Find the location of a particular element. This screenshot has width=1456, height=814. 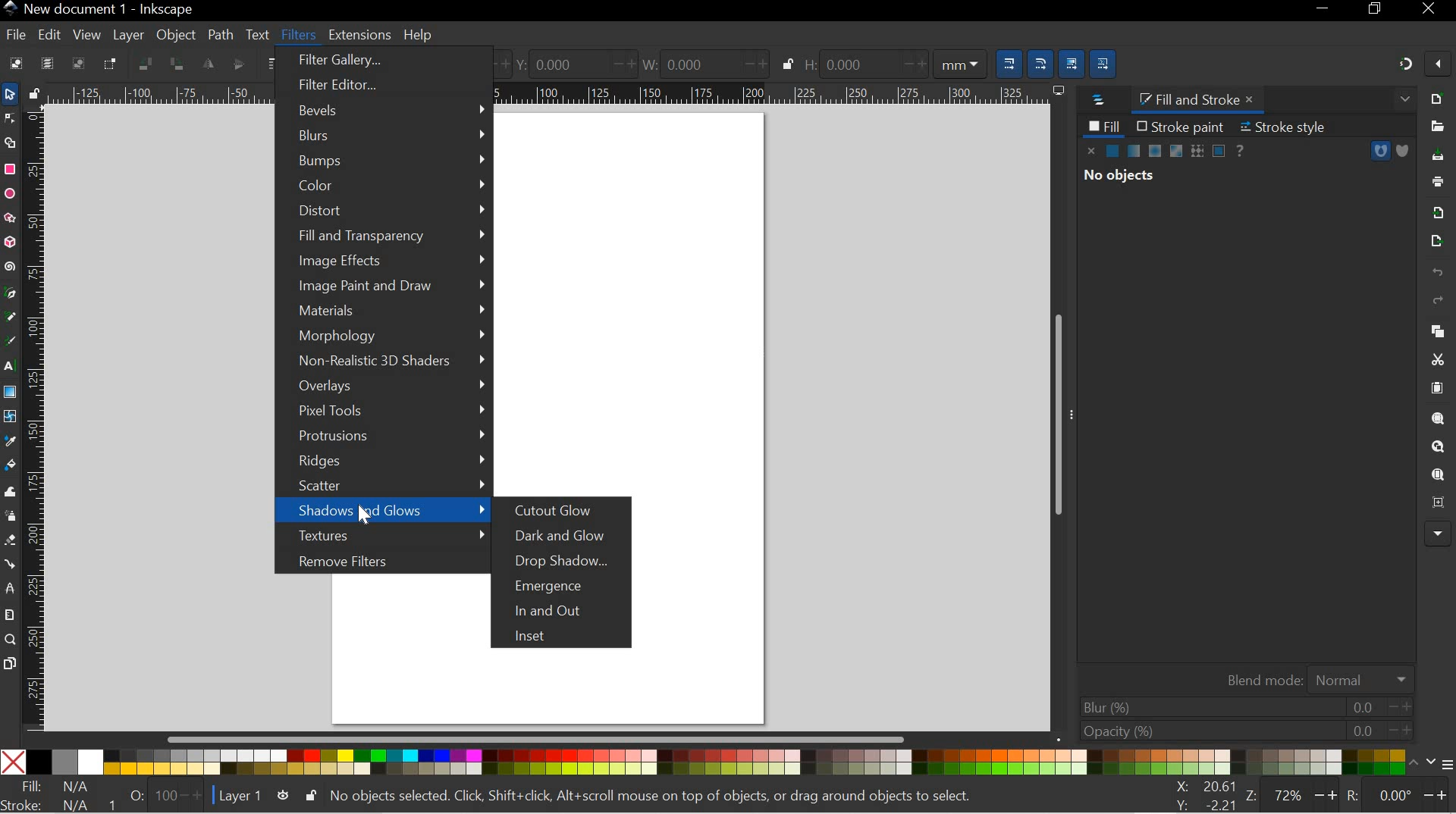

NON-REALISTIC 3D SHADERS is located at coordinates (381, 362).